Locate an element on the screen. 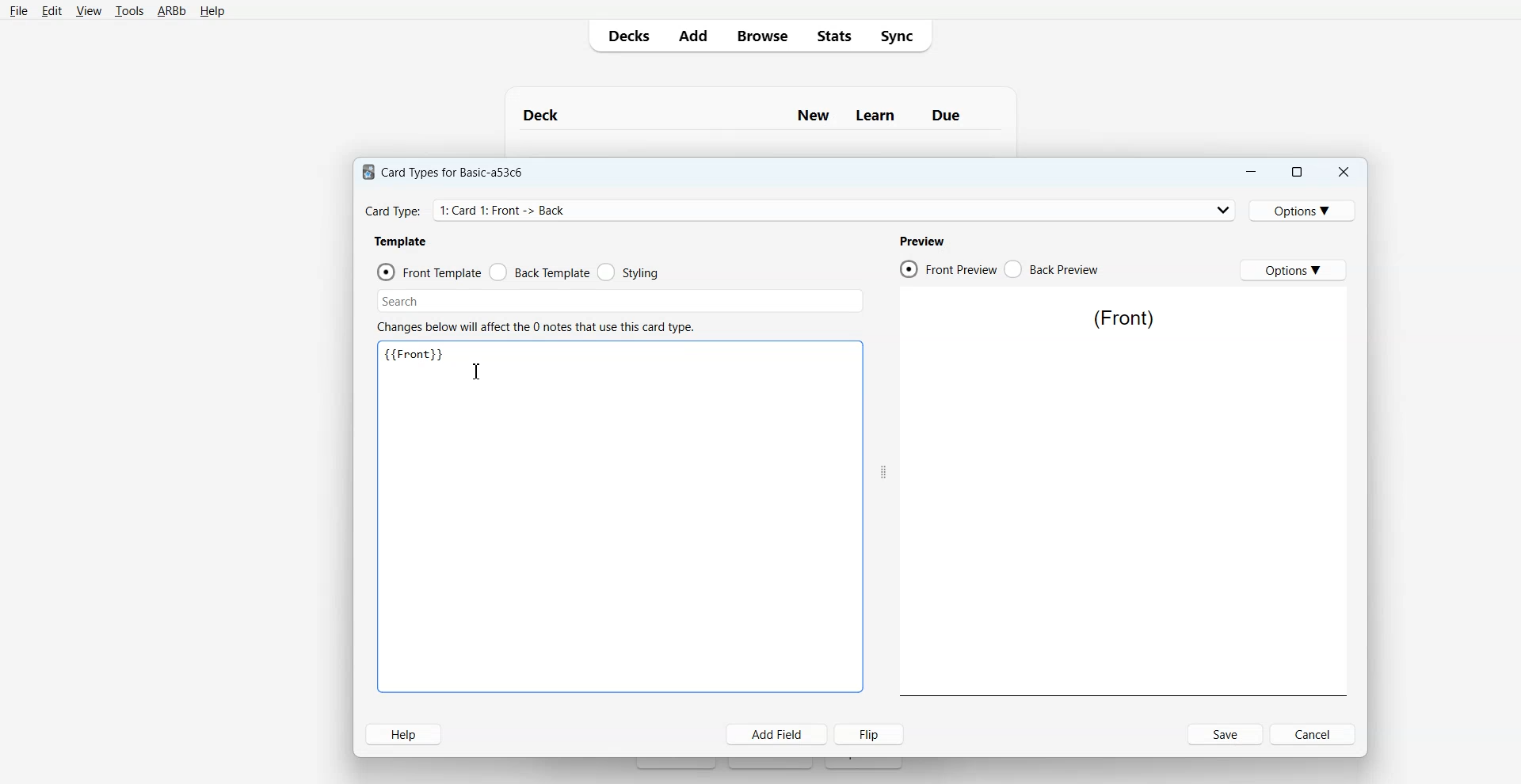 The height and width of the screenshot is (784, 1521). Cancel is located at coordinates (1315, 733).